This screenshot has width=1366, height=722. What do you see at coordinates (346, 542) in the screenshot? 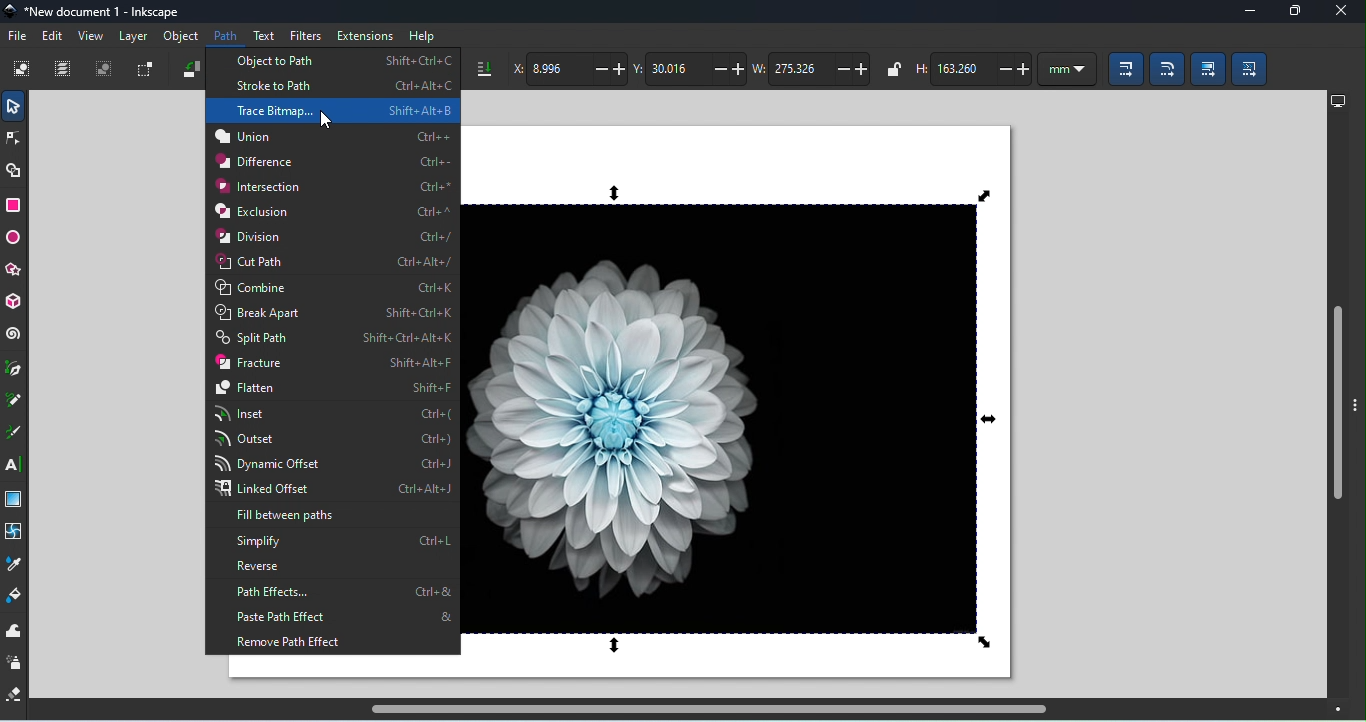
I see `Simplify` at bounding box center [346, 542].